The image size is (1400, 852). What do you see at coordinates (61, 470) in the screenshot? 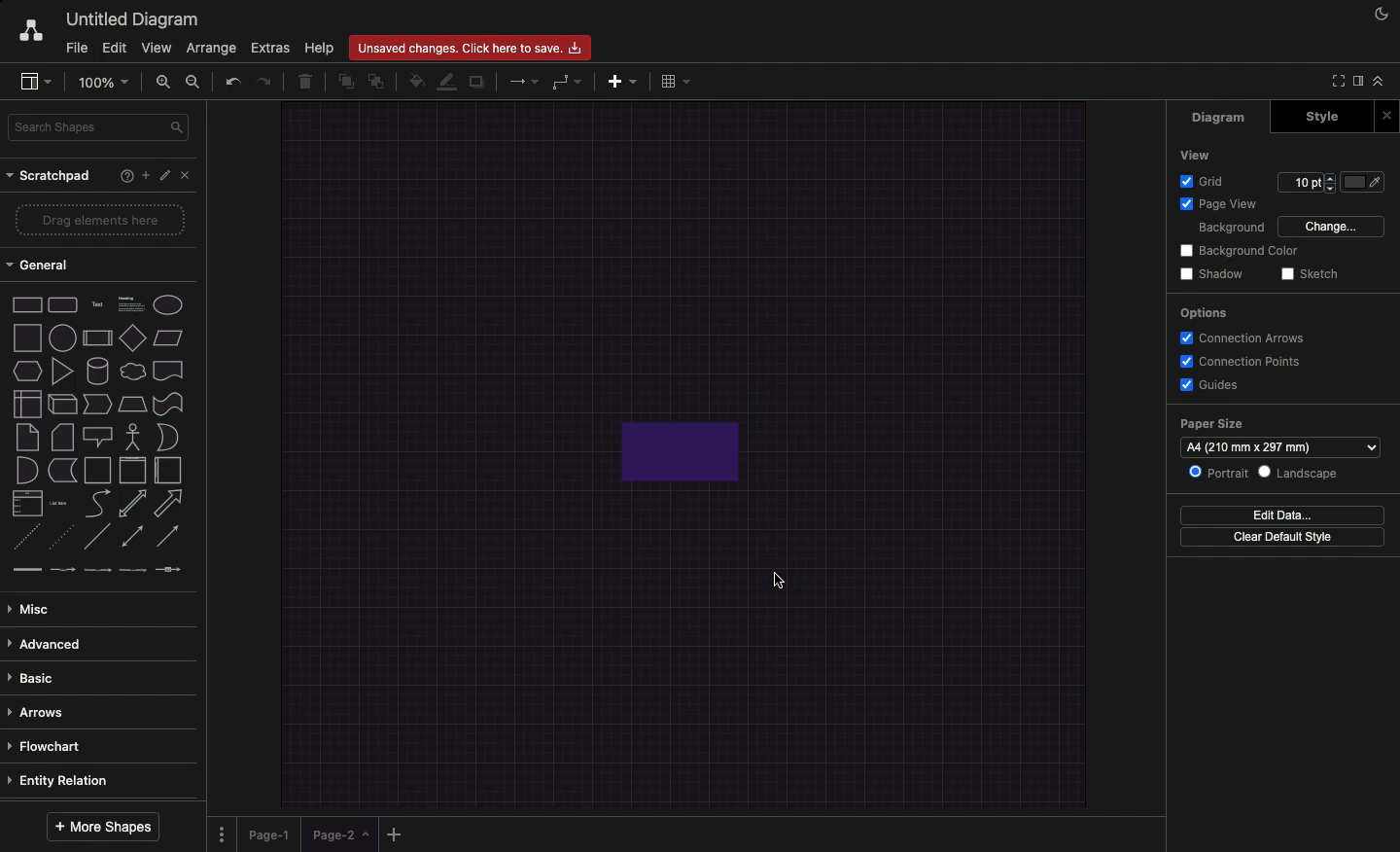
I see `data storage` at bounding box center [61, 470].